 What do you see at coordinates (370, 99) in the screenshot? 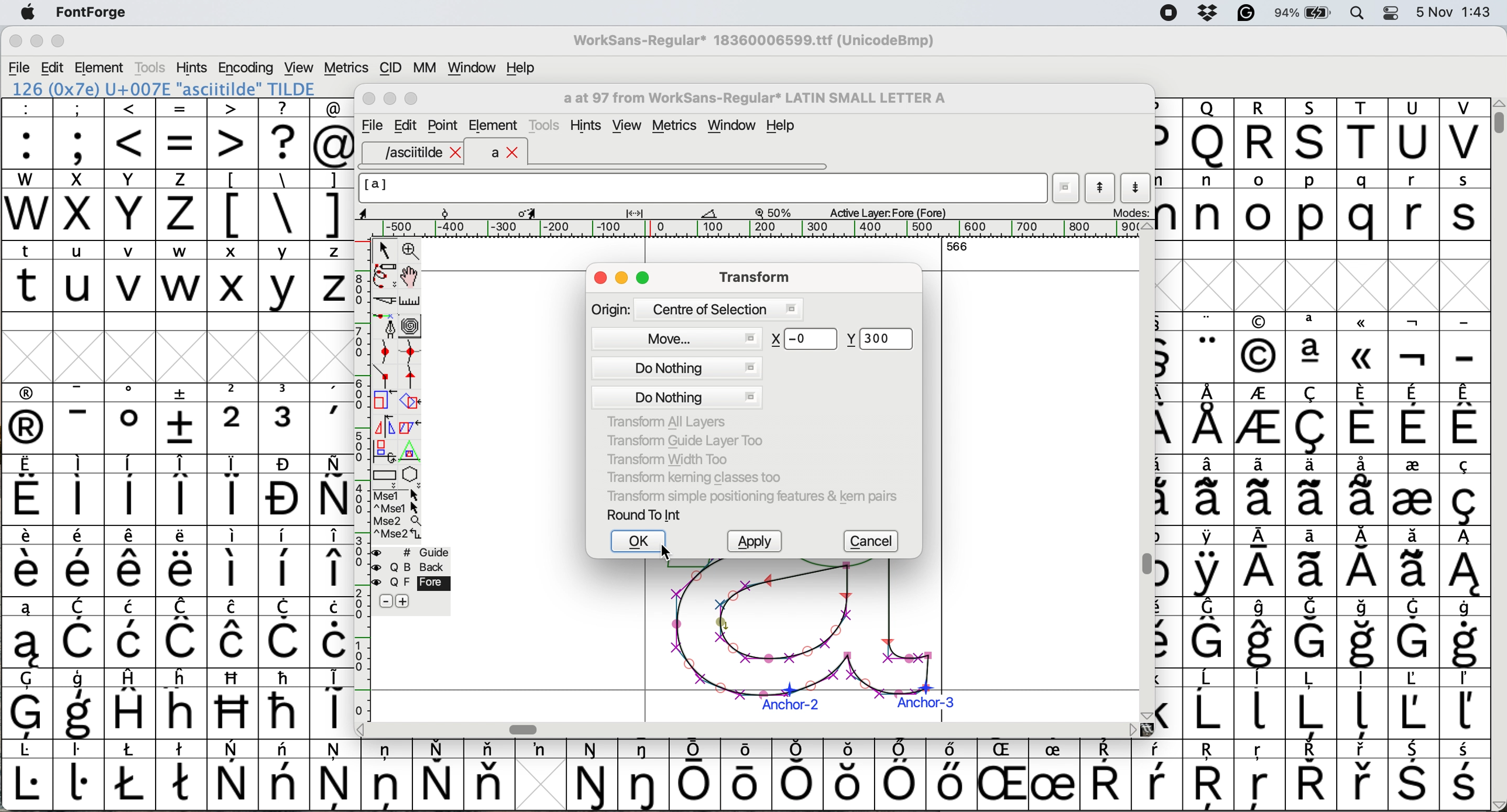
I see `Close` at bounding box center [370, 99].